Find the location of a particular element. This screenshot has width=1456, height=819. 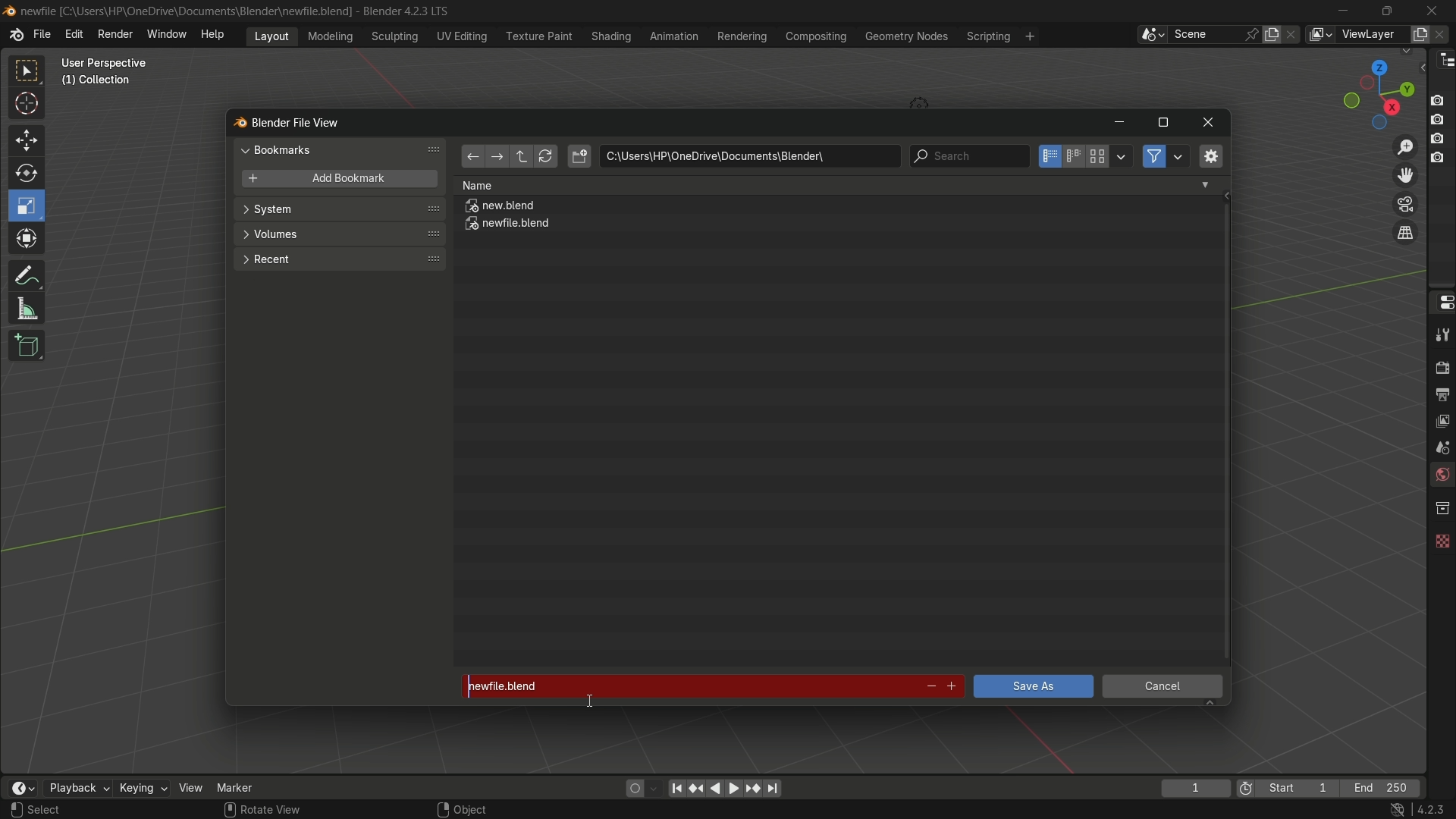

Buttons is located at coordinates (1443, 127).